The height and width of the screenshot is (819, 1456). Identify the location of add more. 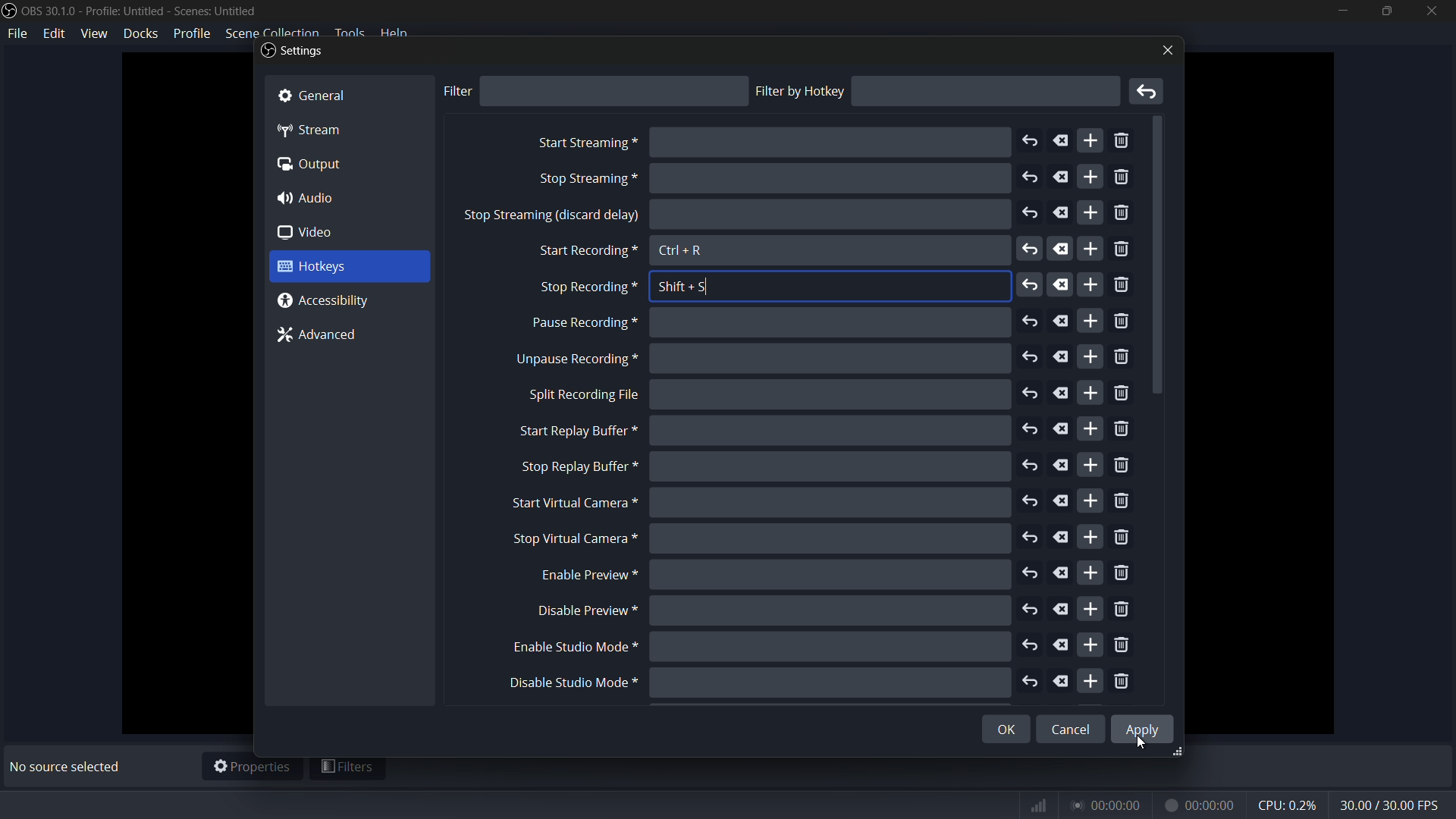
(1090, 465).